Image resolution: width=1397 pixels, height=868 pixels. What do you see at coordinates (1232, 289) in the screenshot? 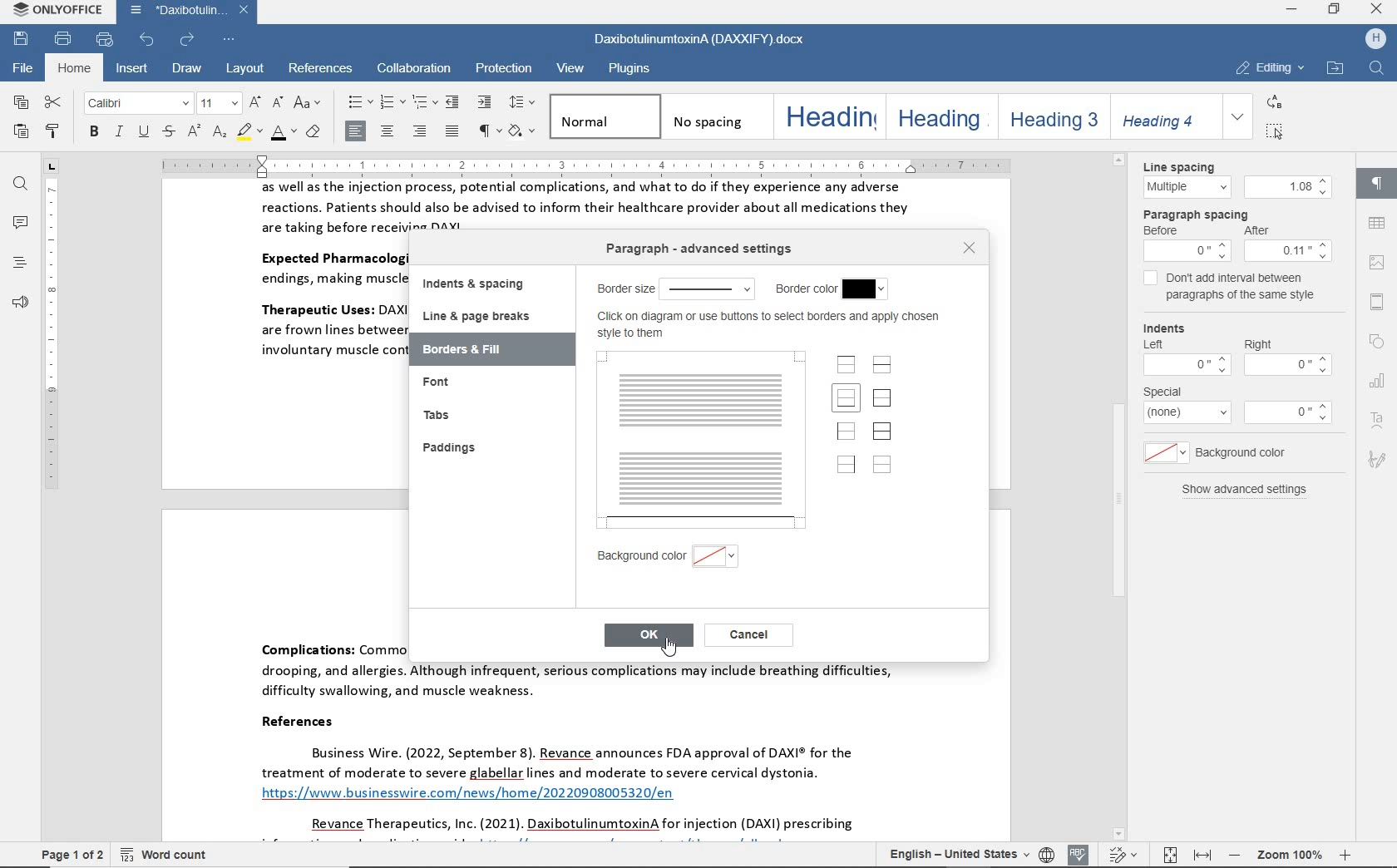
I see `don't add interval between paragraphs of the same style` at bounding box center [1232, 289].